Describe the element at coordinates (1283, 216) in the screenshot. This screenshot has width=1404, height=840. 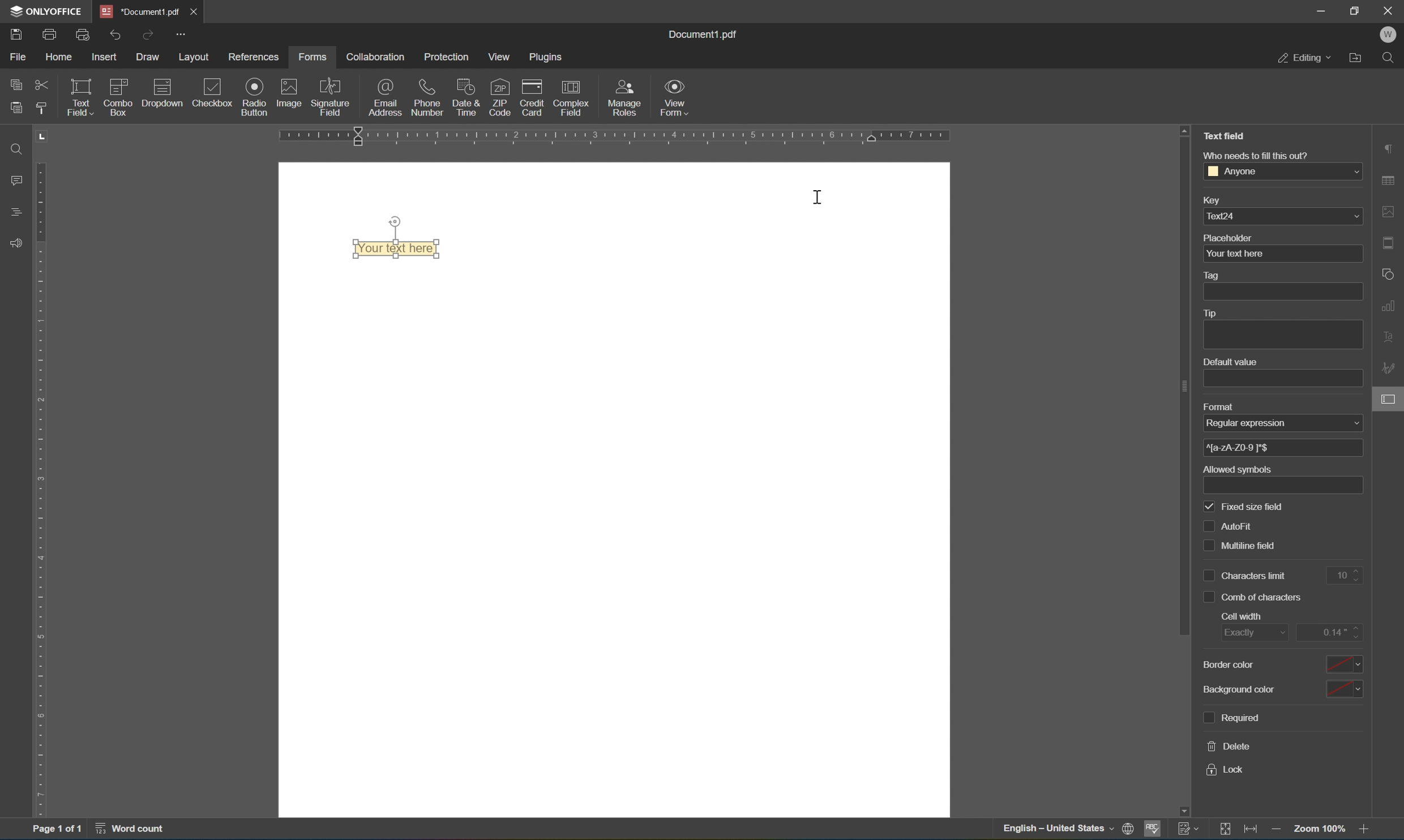
I see `text24` at that location.